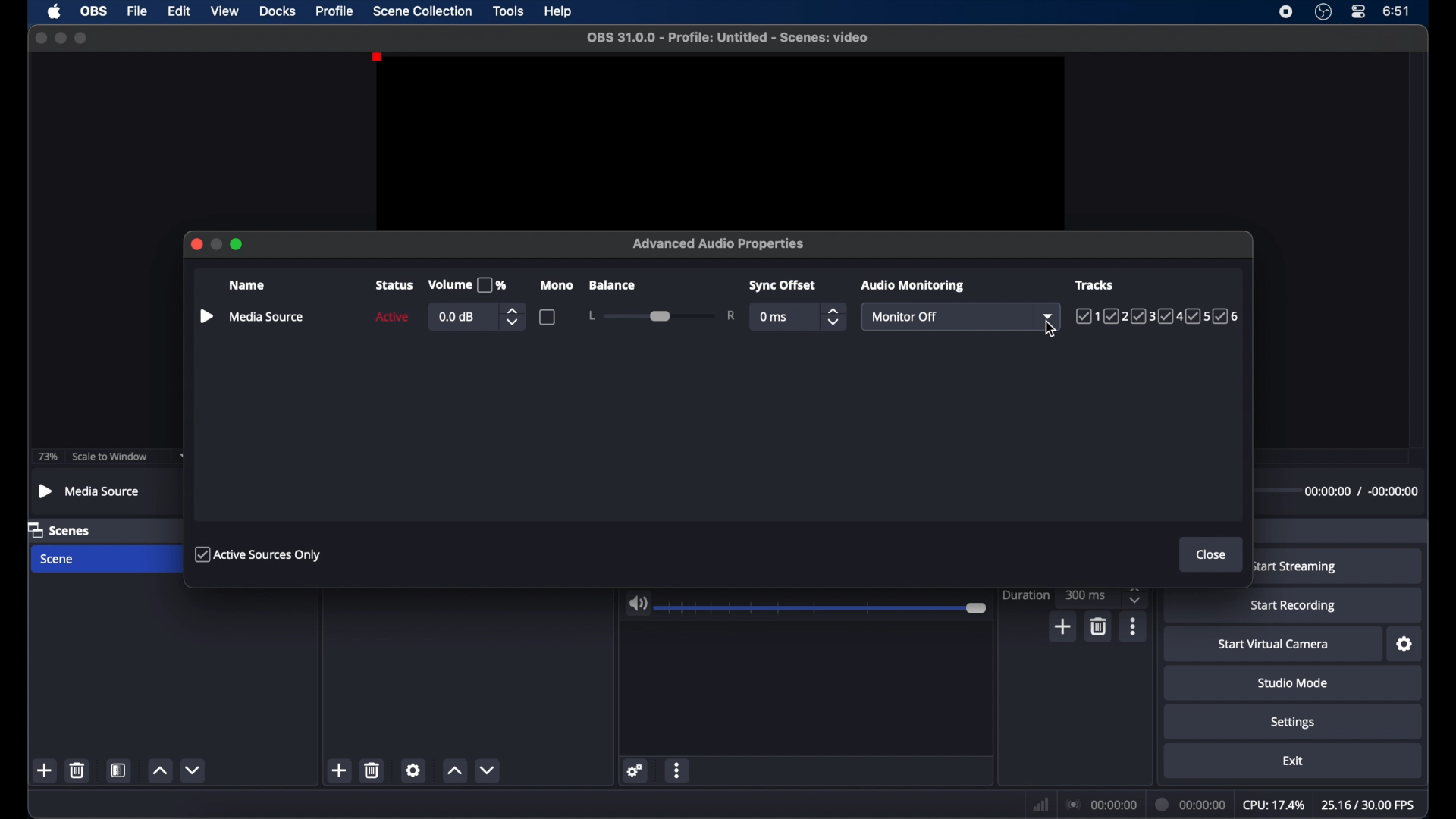 Image resolution: width=1456 pixels, height=819 pixels. What do you see at coordinates (560, 12) in the screenshot?
I see `help` at bounding box center [560, 12].